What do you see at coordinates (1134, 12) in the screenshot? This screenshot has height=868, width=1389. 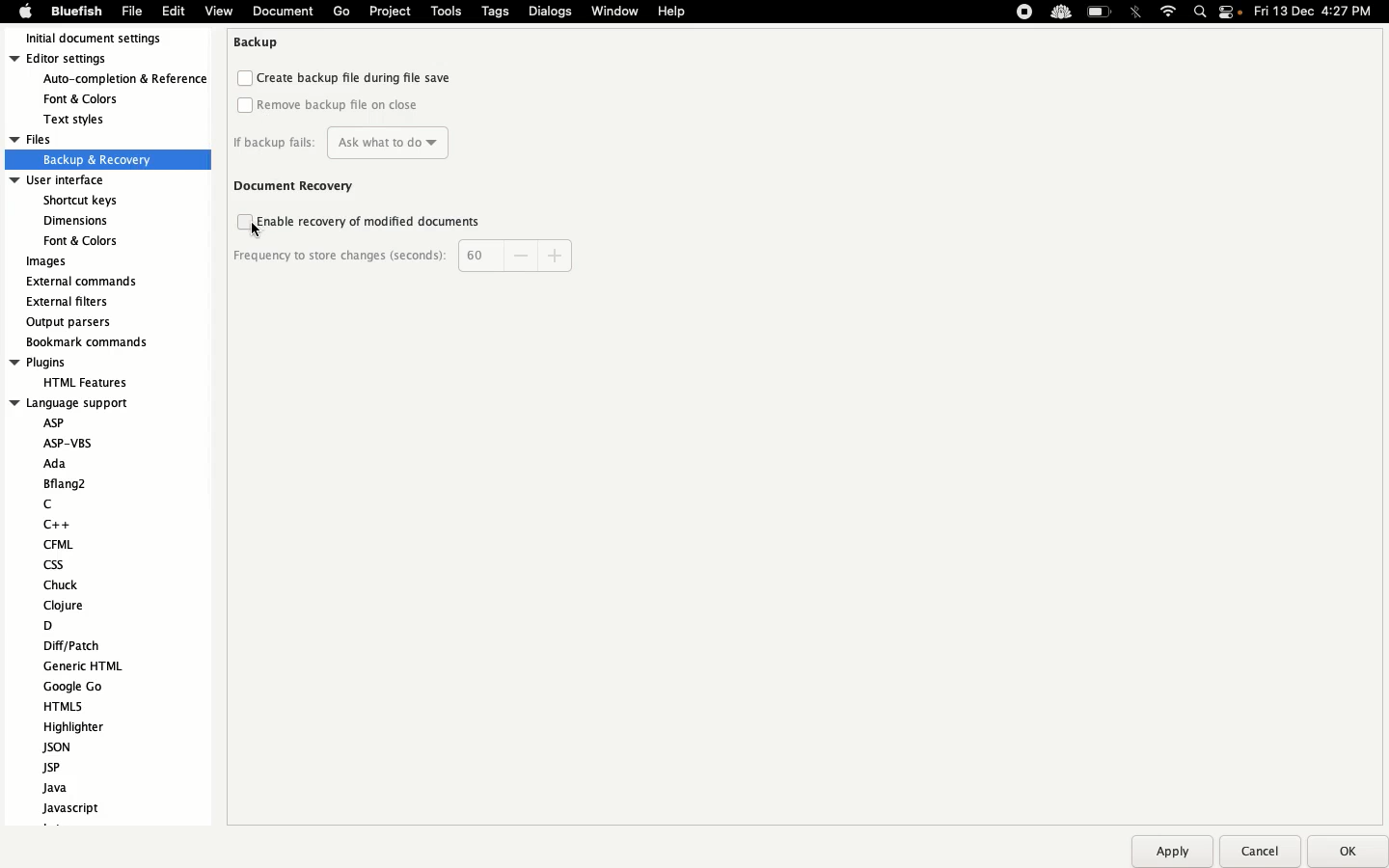 I see `Bluetooth` at bounding box center [1134, 12].